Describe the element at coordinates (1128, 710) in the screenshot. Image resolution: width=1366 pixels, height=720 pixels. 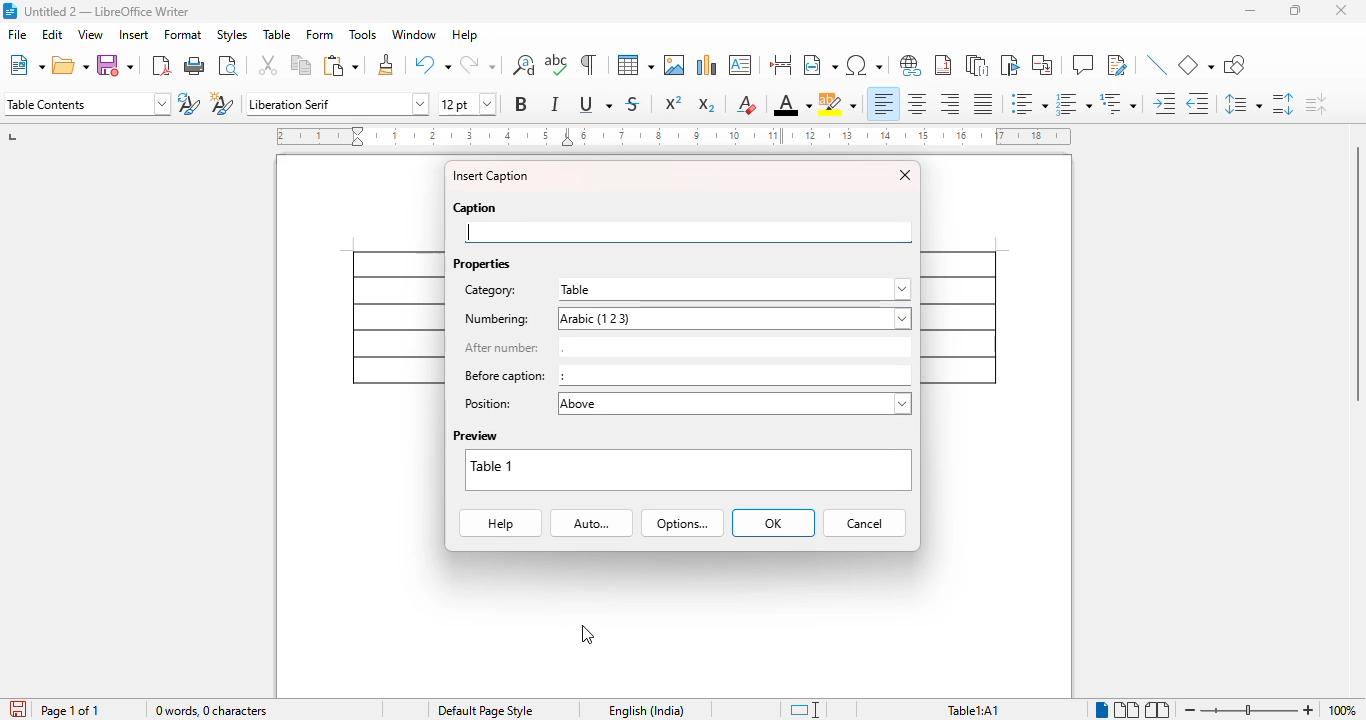
I see `multi-page view` at that location.